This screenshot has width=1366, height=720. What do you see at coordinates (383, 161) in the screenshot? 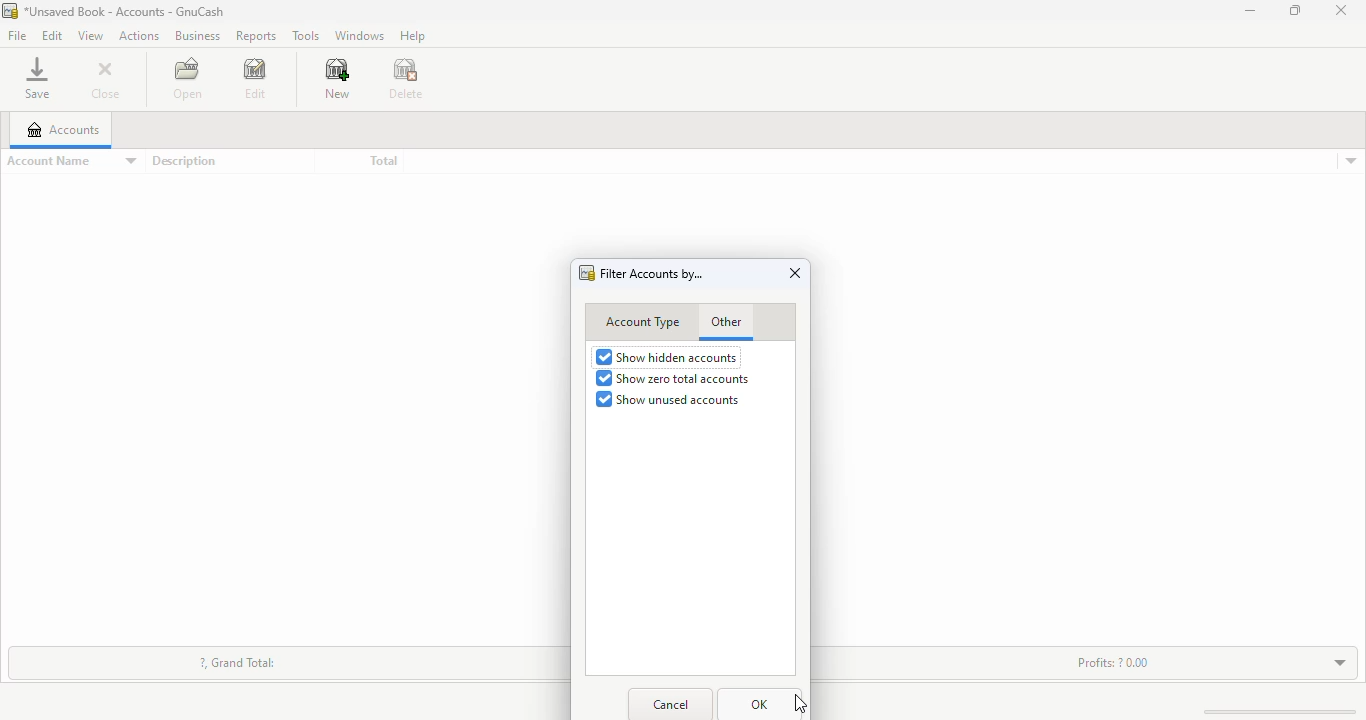
I see `total` at bounding box center [383, 161].